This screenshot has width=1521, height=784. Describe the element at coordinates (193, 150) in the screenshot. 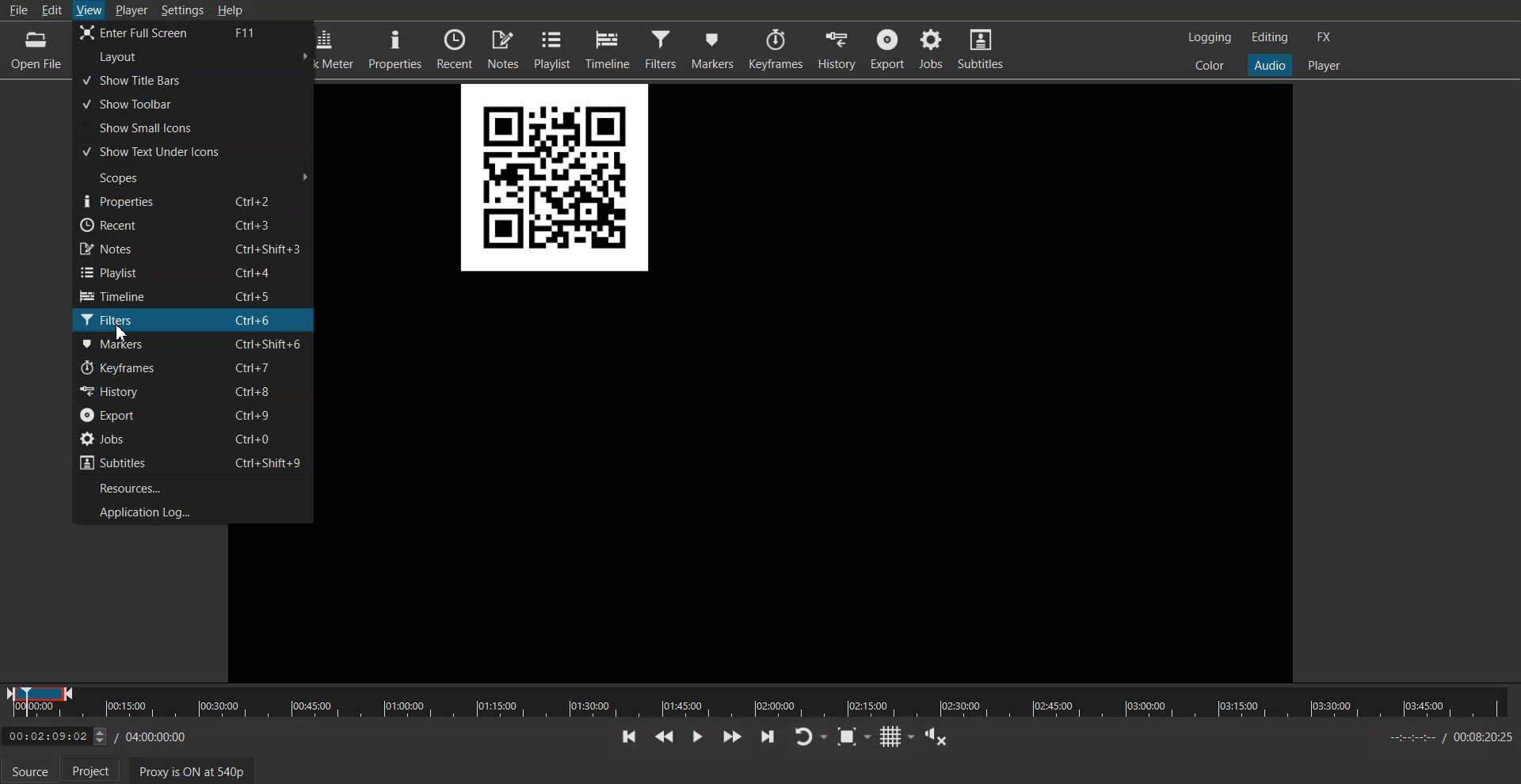

I see `Show Text Under Icons` at that location.